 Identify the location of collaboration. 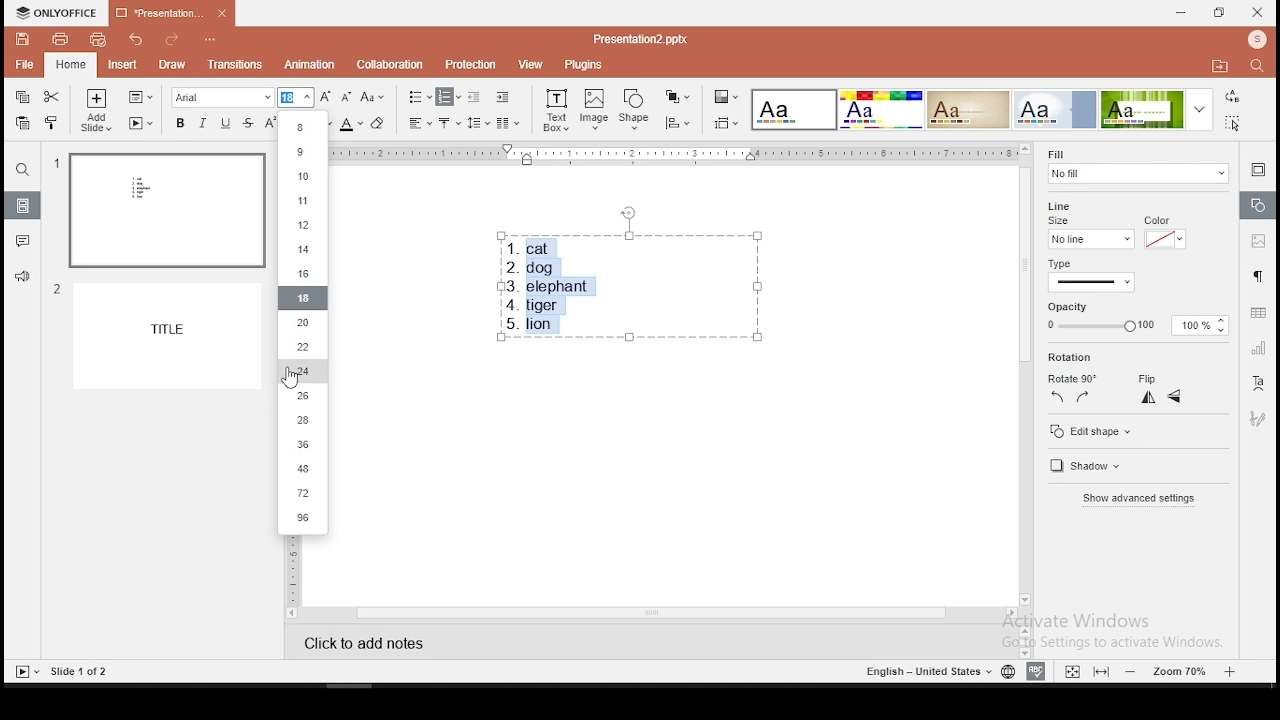
(389, 63).